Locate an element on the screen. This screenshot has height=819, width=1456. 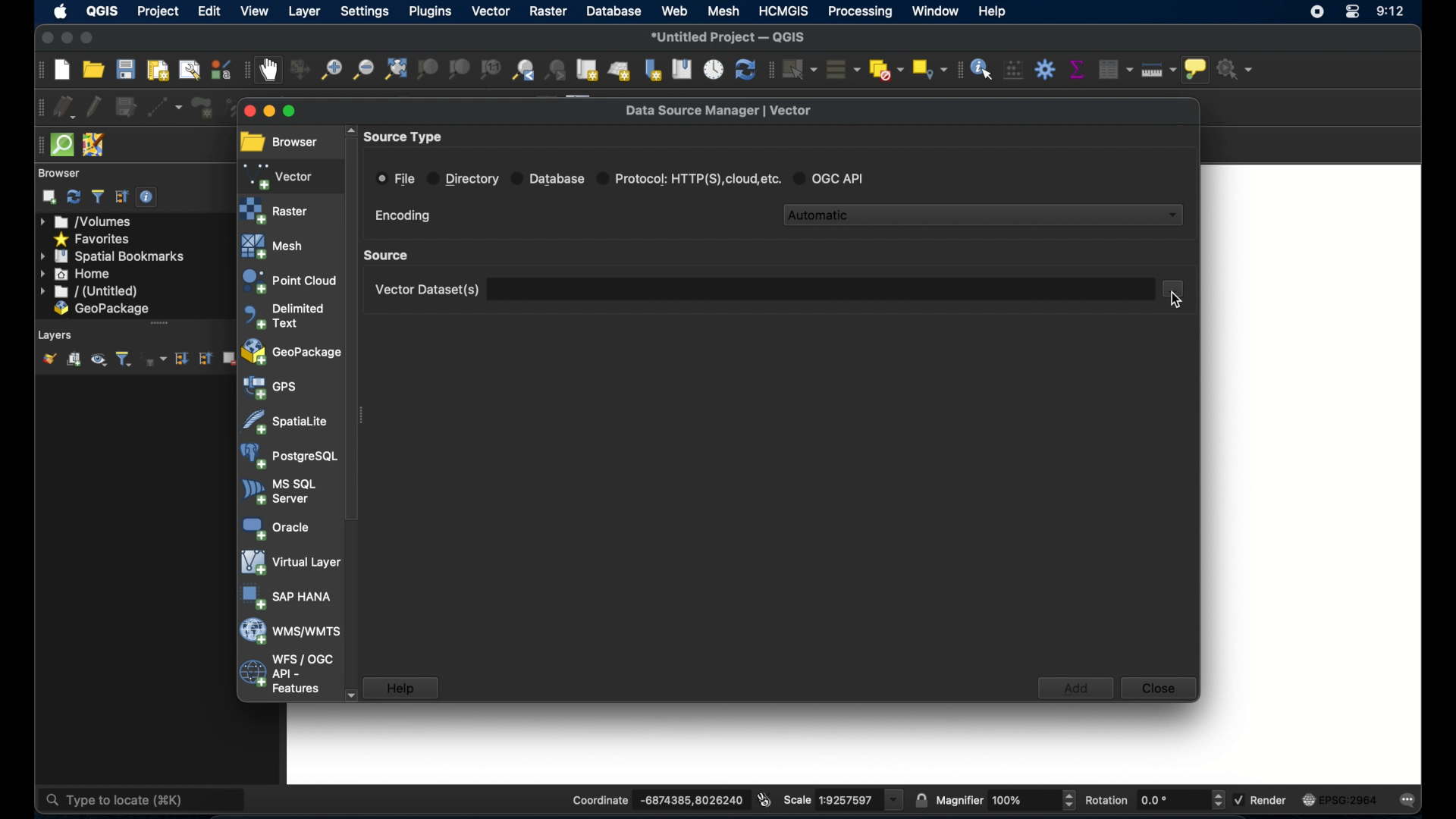
geopackage is located at coordinates (102, 309).